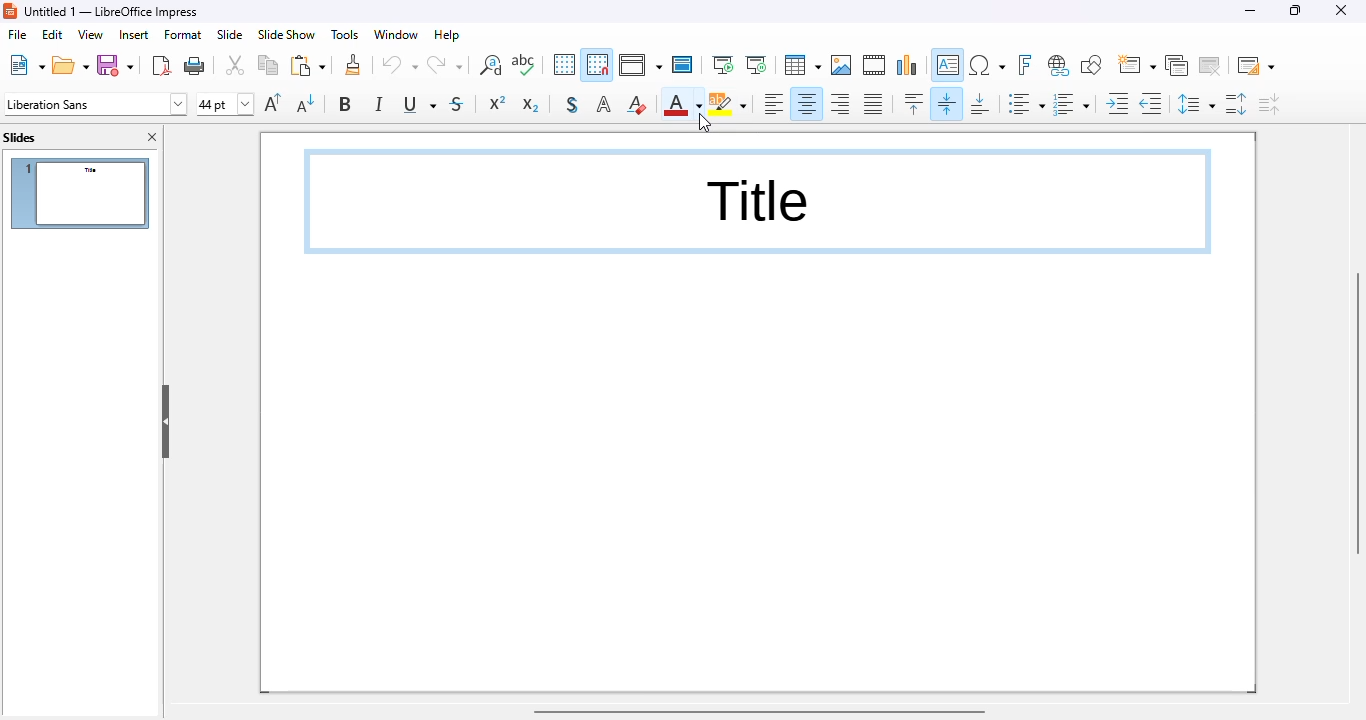 Image resolution: width=1366 pixels, height=720 pixels. I want to click on increase indent, so click(1117, 103).